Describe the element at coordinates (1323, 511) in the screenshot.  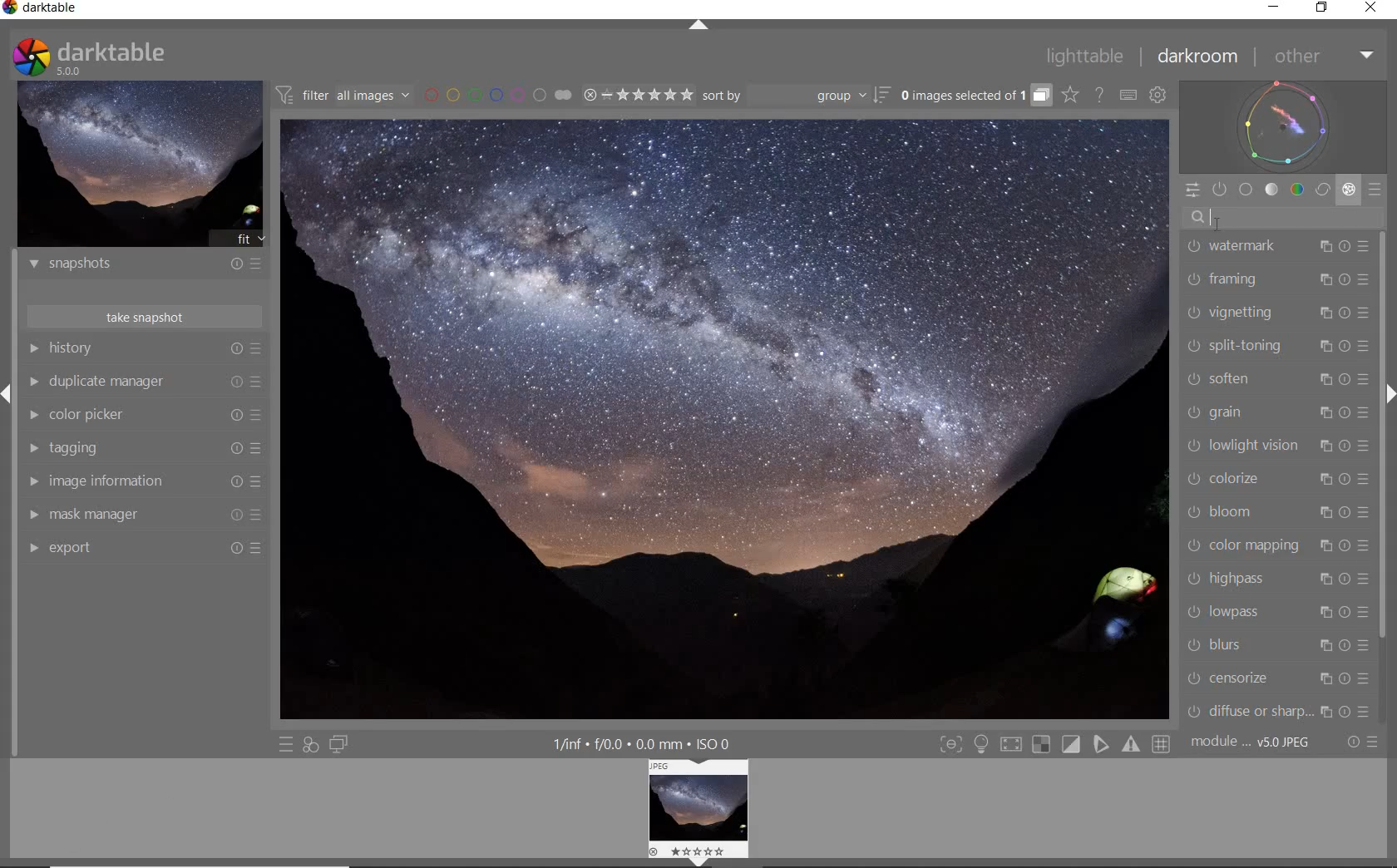
I see `multiple instance actions` at that location.